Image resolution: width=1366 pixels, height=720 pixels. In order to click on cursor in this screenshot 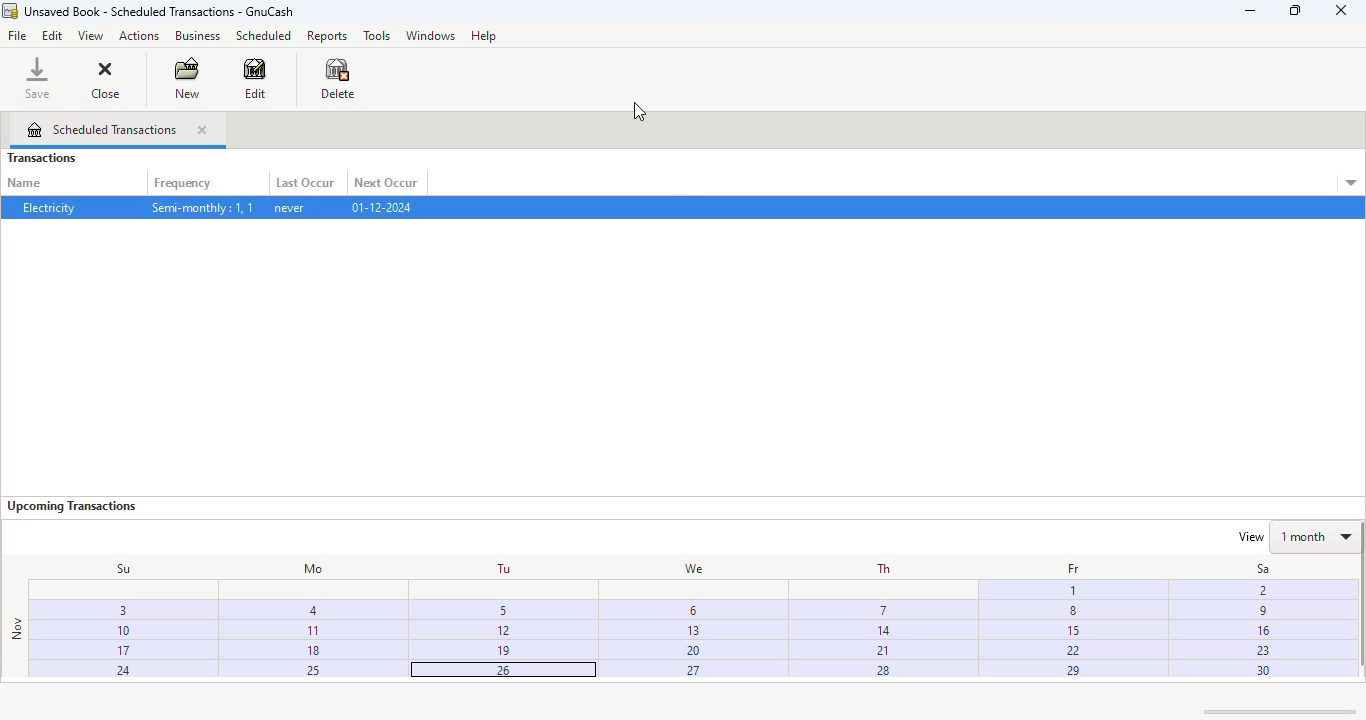, I will do `click(209, 81)`.